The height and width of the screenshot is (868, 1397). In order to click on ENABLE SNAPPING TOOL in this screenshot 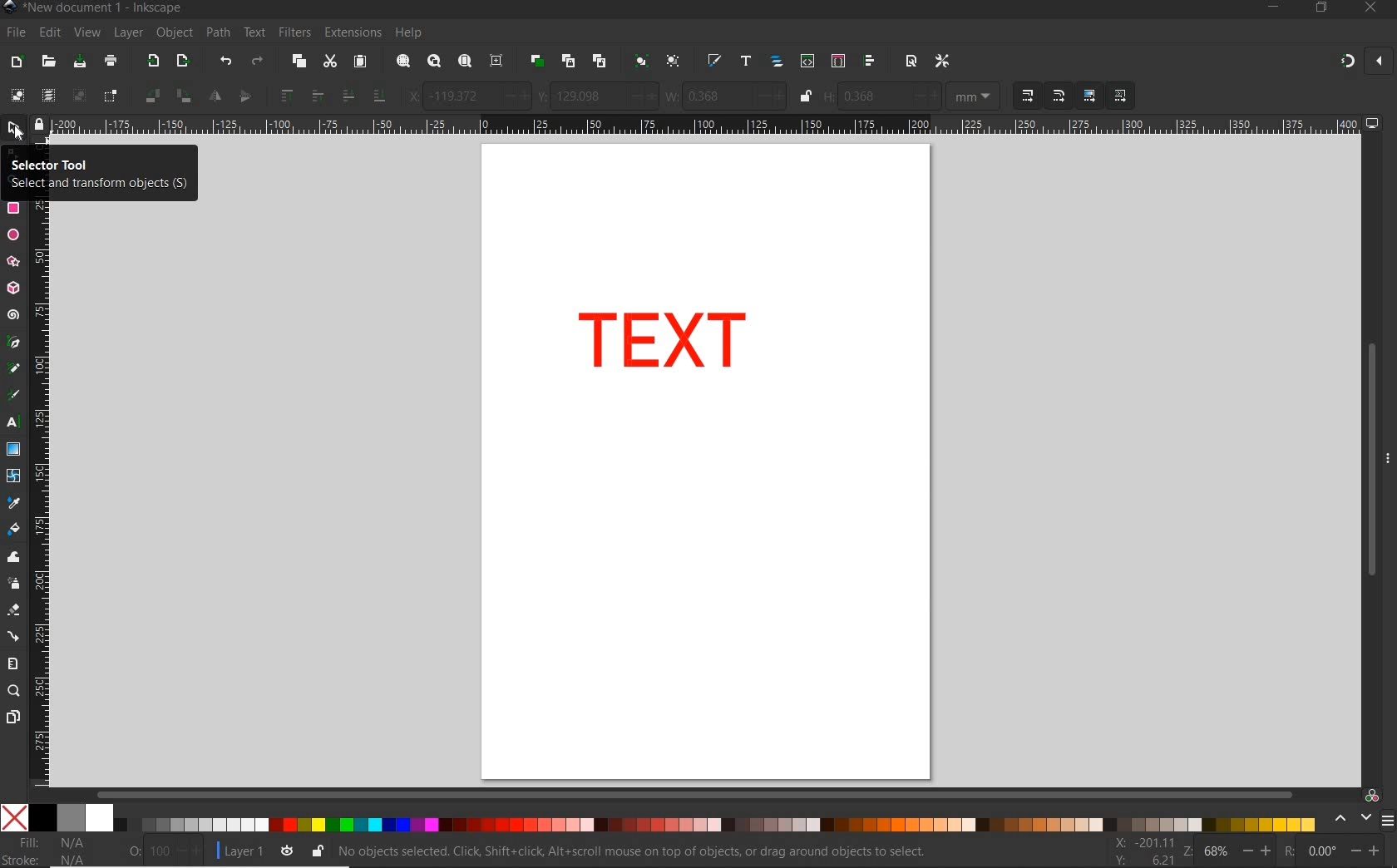, I will do `click(1365, 61)`.